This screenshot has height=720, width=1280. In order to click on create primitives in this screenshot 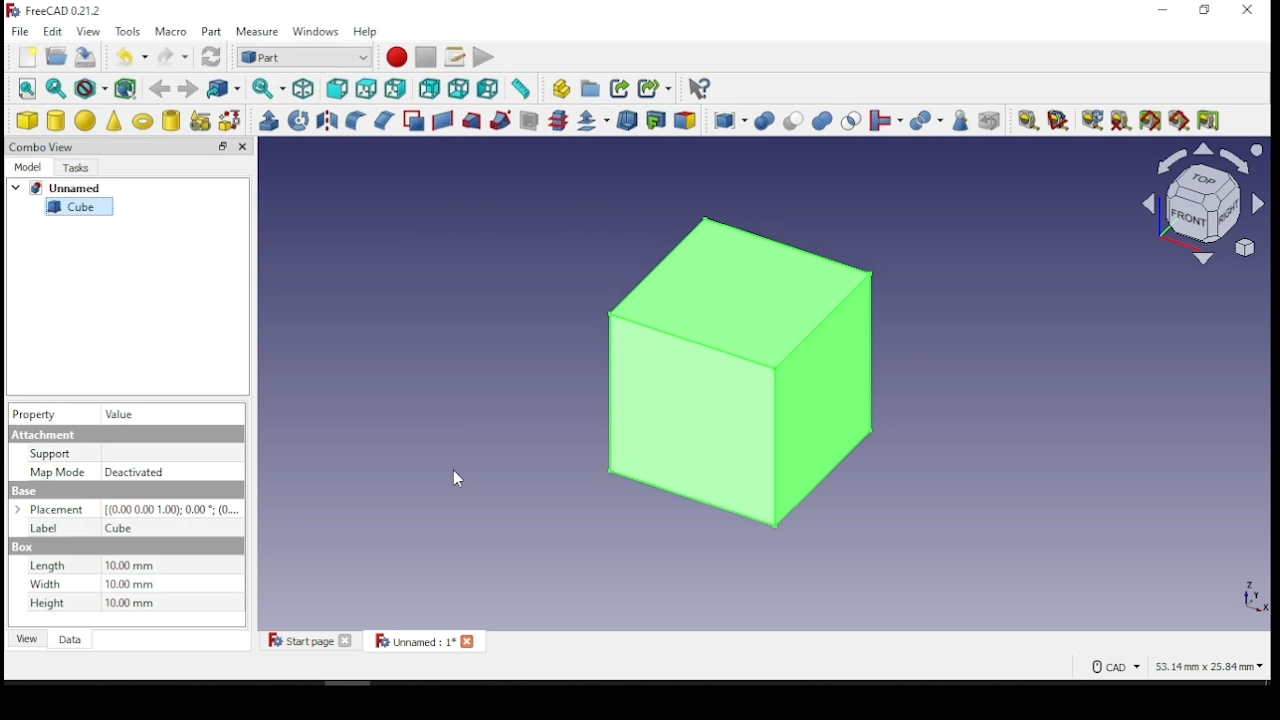, I will do `click(203, 120)`.